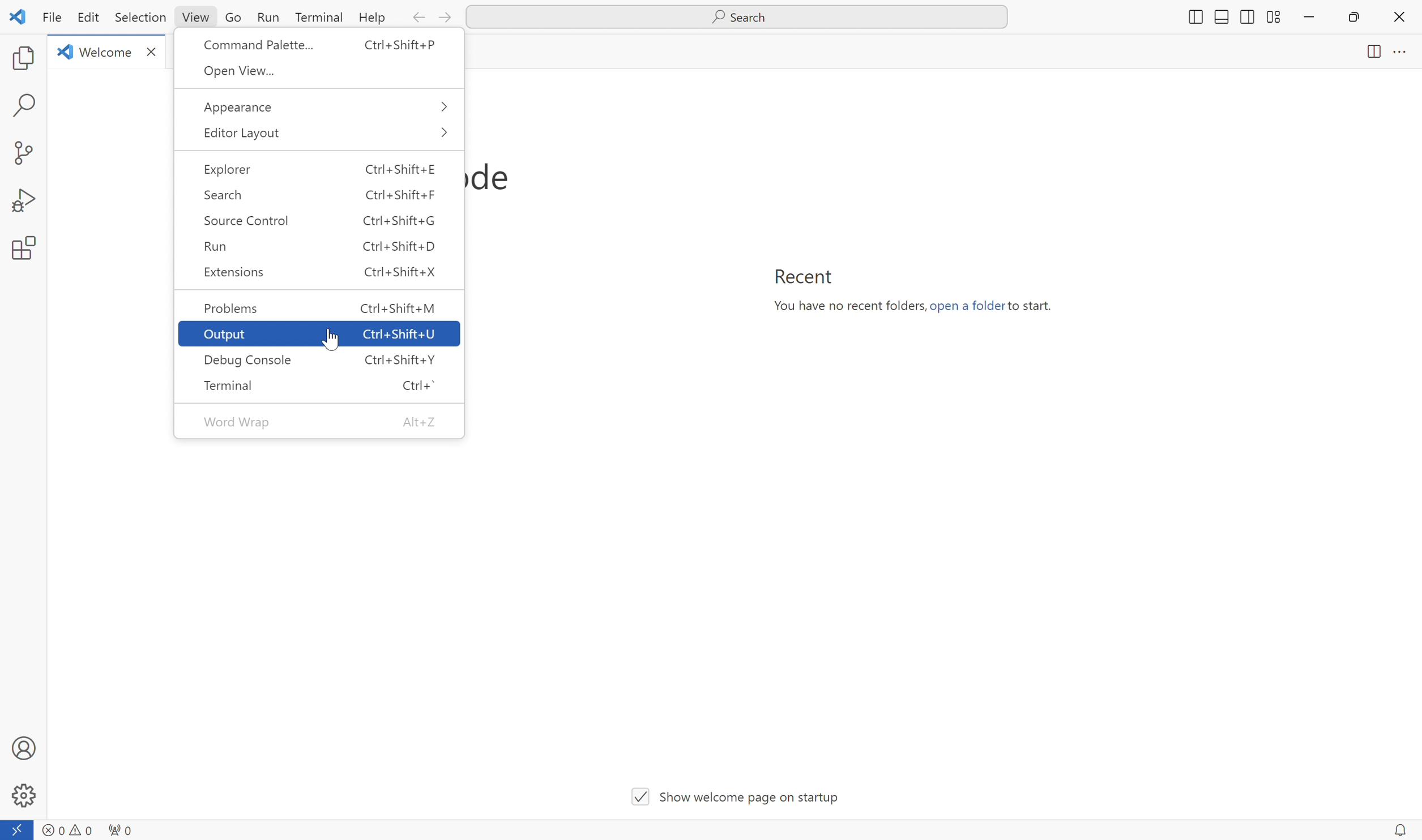 The image size is (1422, 840). I want to click on settings, so click(26, 249).